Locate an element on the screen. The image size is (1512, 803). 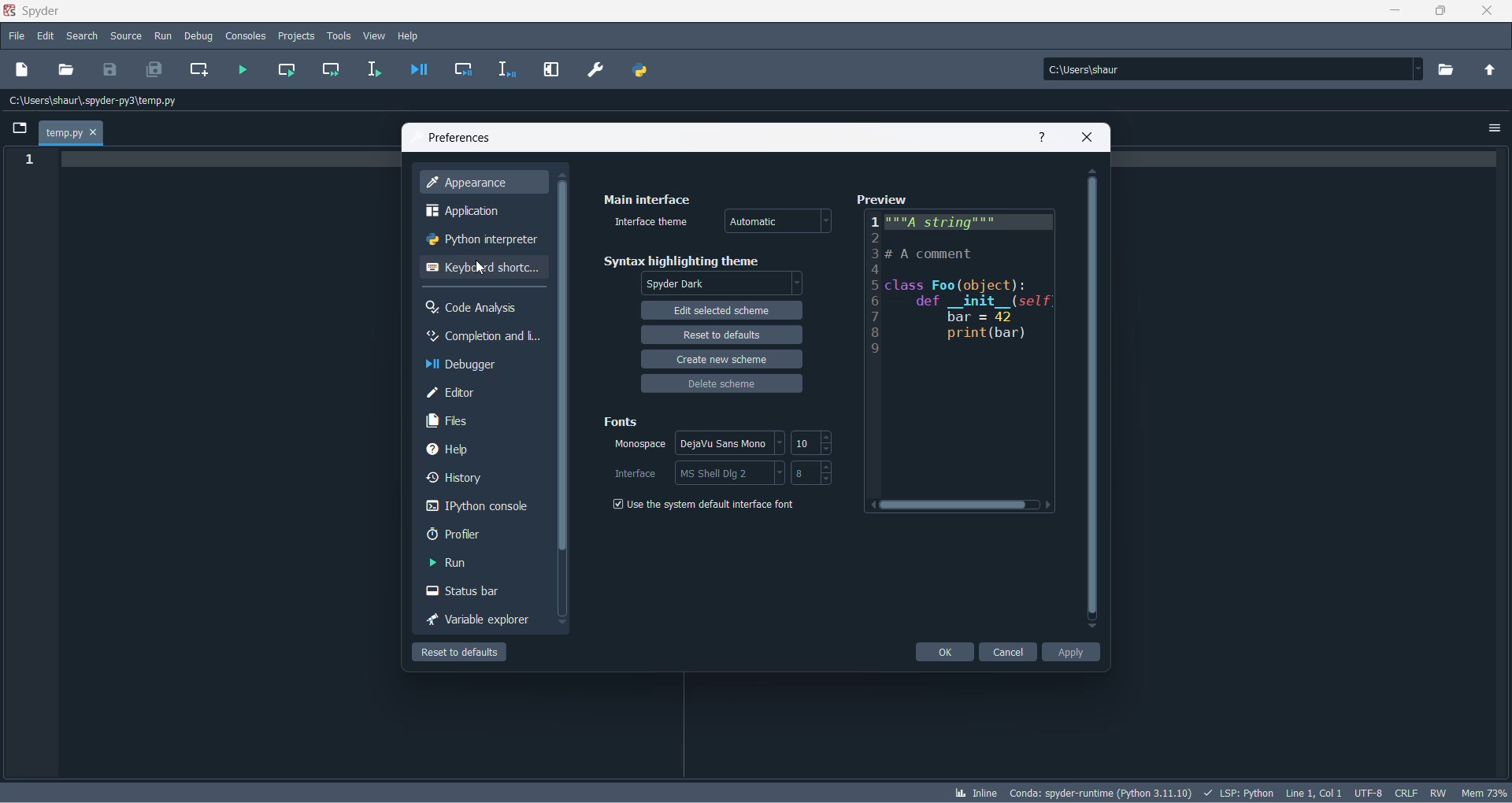
close is located at coordinates (1090, 136).